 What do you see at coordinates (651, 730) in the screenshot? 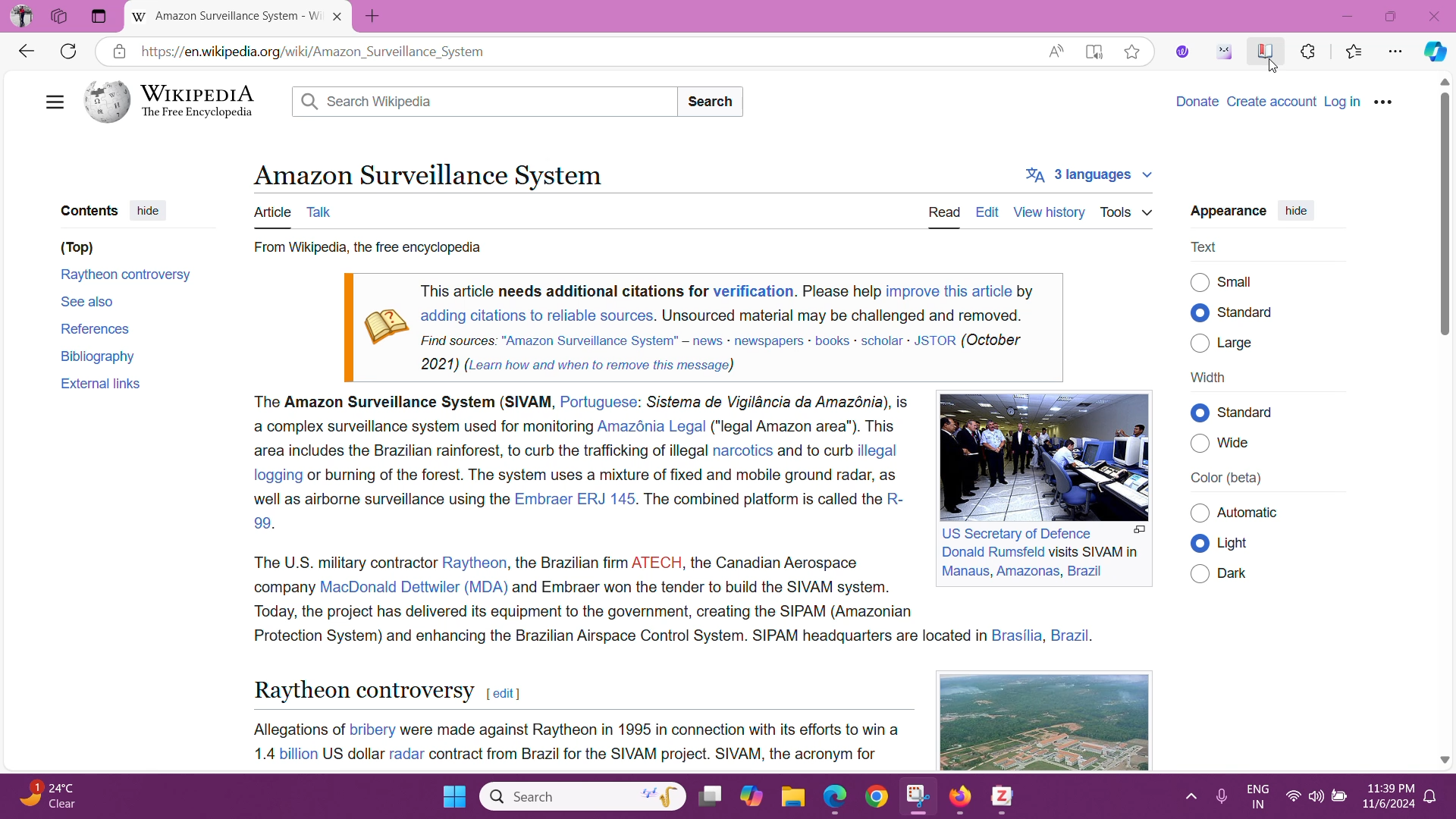
I see `were made against Raytheon in 1995 in connection with its efforts to win a` at bounding box center [651, 730].